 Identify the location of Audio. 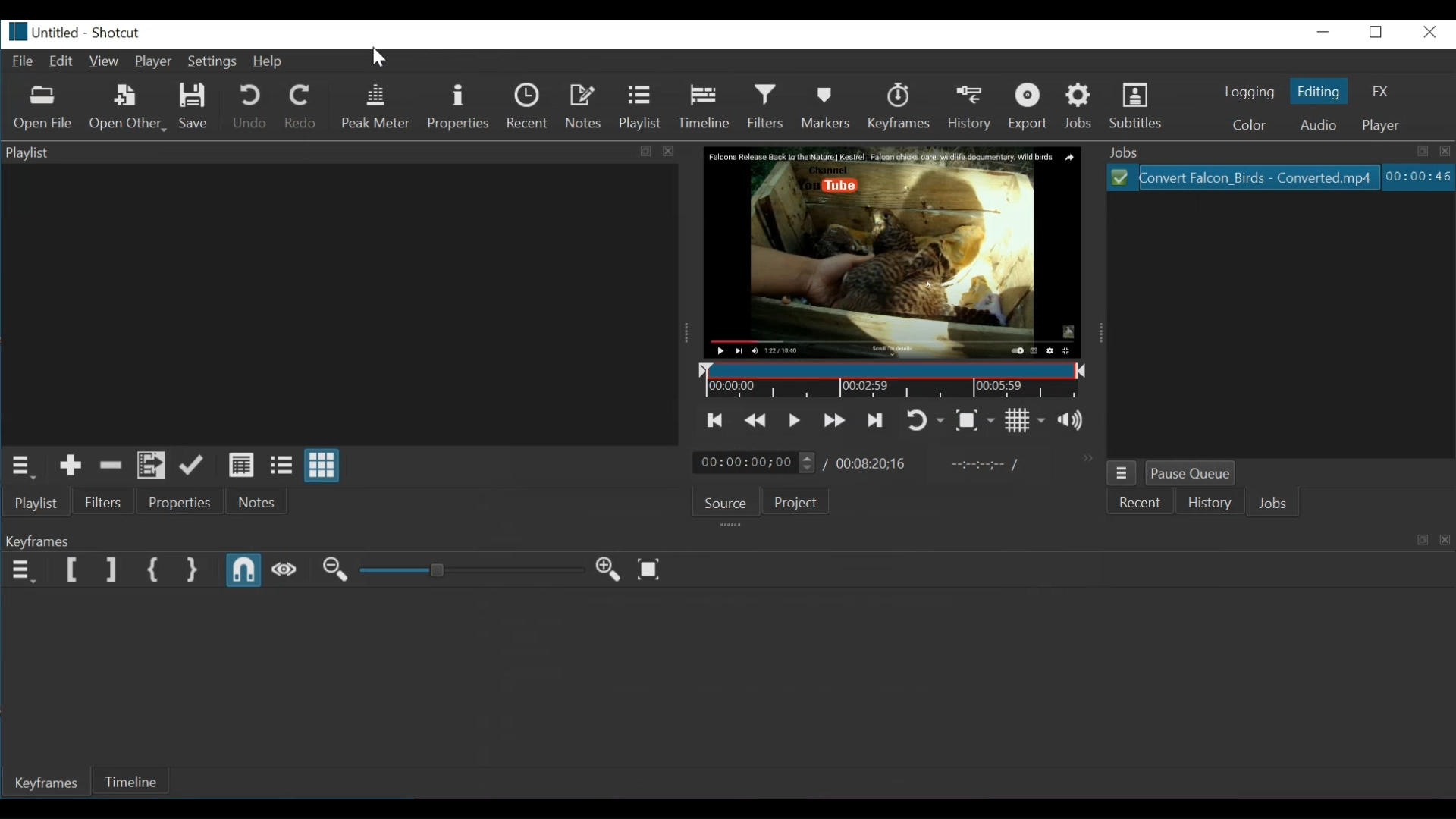
(1320, 127).